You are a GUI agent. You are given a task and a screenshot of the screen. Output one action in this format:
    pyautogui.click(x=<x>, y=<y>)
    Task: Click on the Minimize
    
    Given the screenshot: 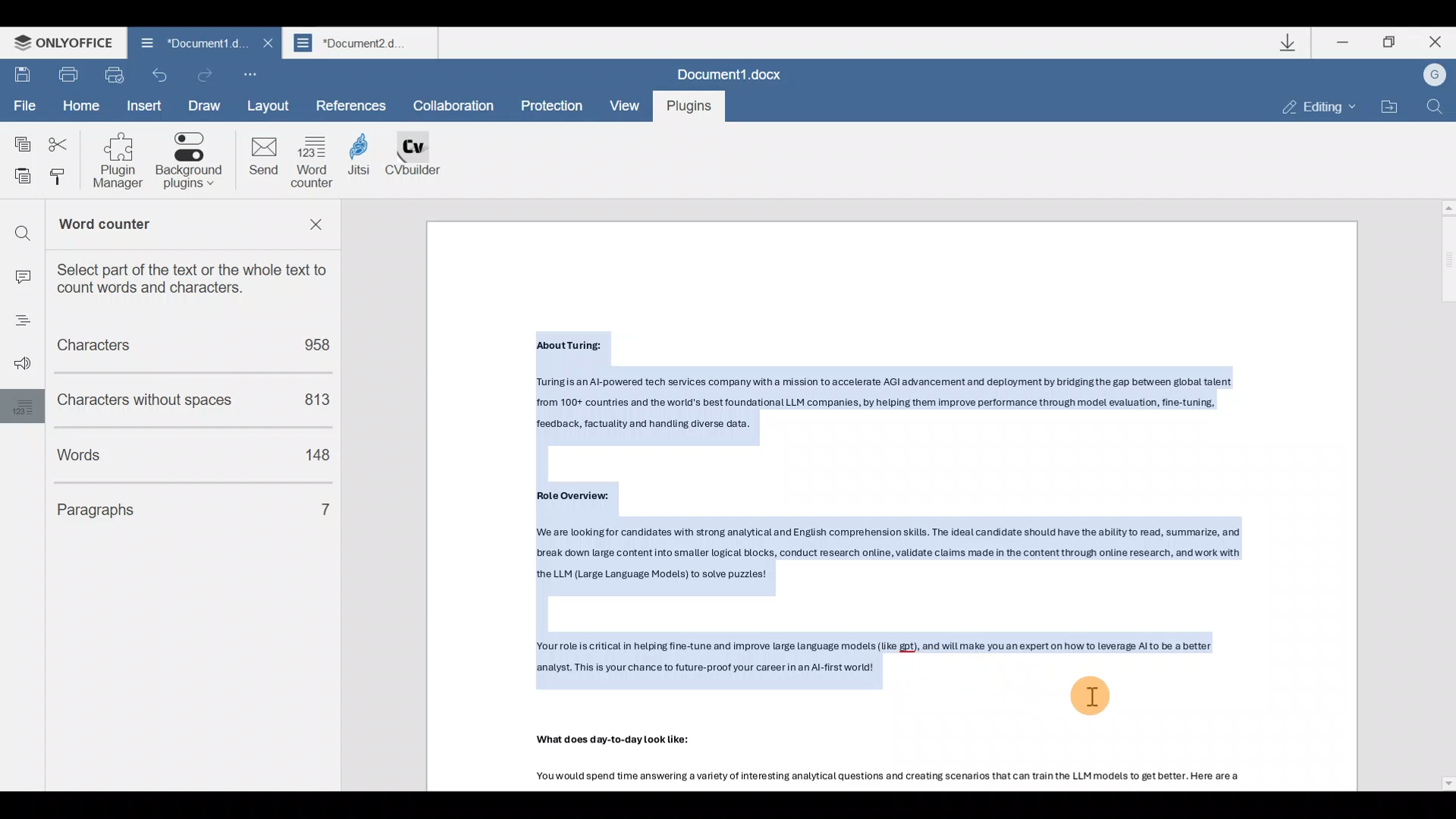 What is the action you would take?
    pyautogui.click(x=1341, y=45)
    